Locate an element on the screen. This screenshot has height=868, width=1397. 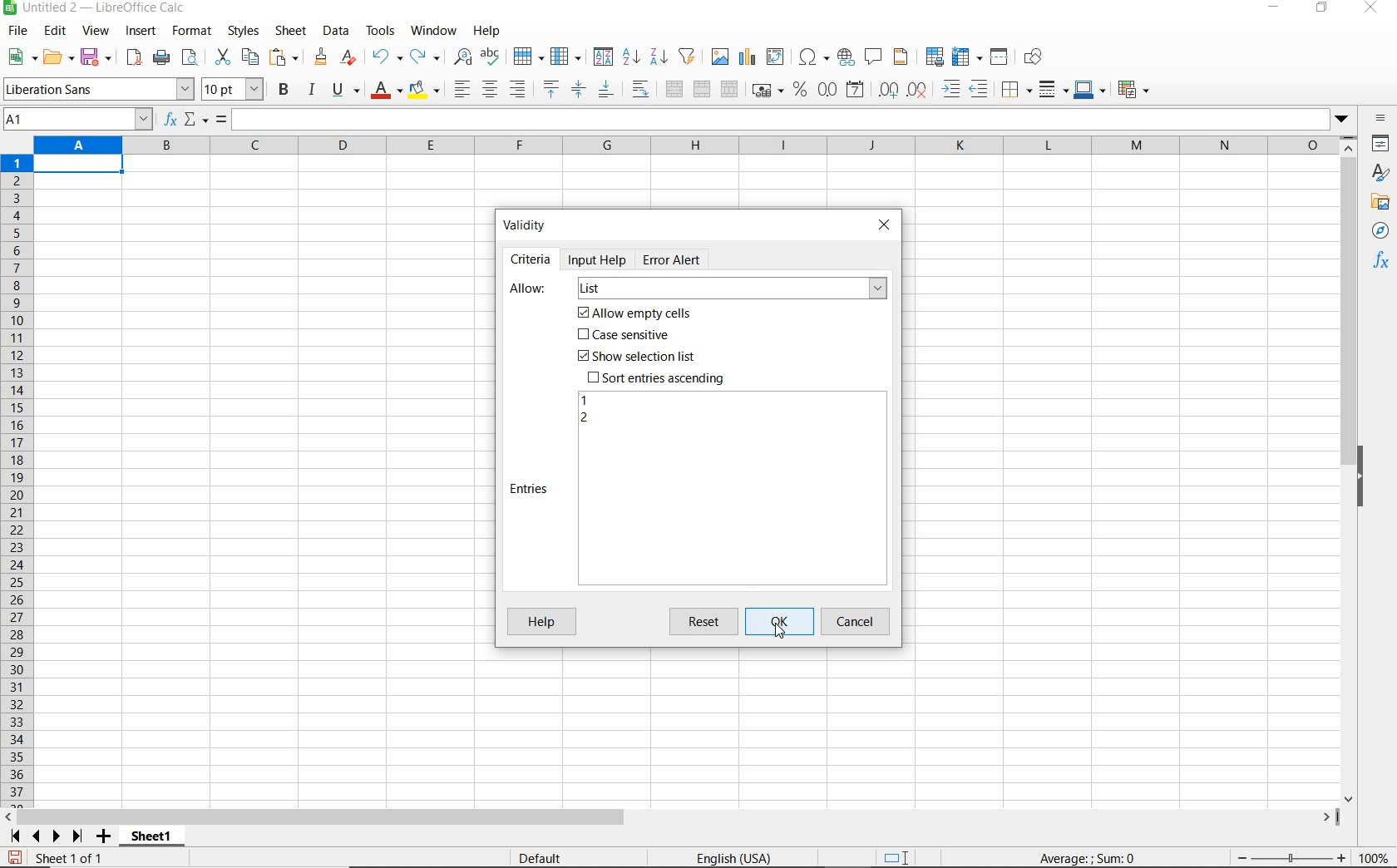
merge and center or unmerge cells is located at coordinates (674, 90).